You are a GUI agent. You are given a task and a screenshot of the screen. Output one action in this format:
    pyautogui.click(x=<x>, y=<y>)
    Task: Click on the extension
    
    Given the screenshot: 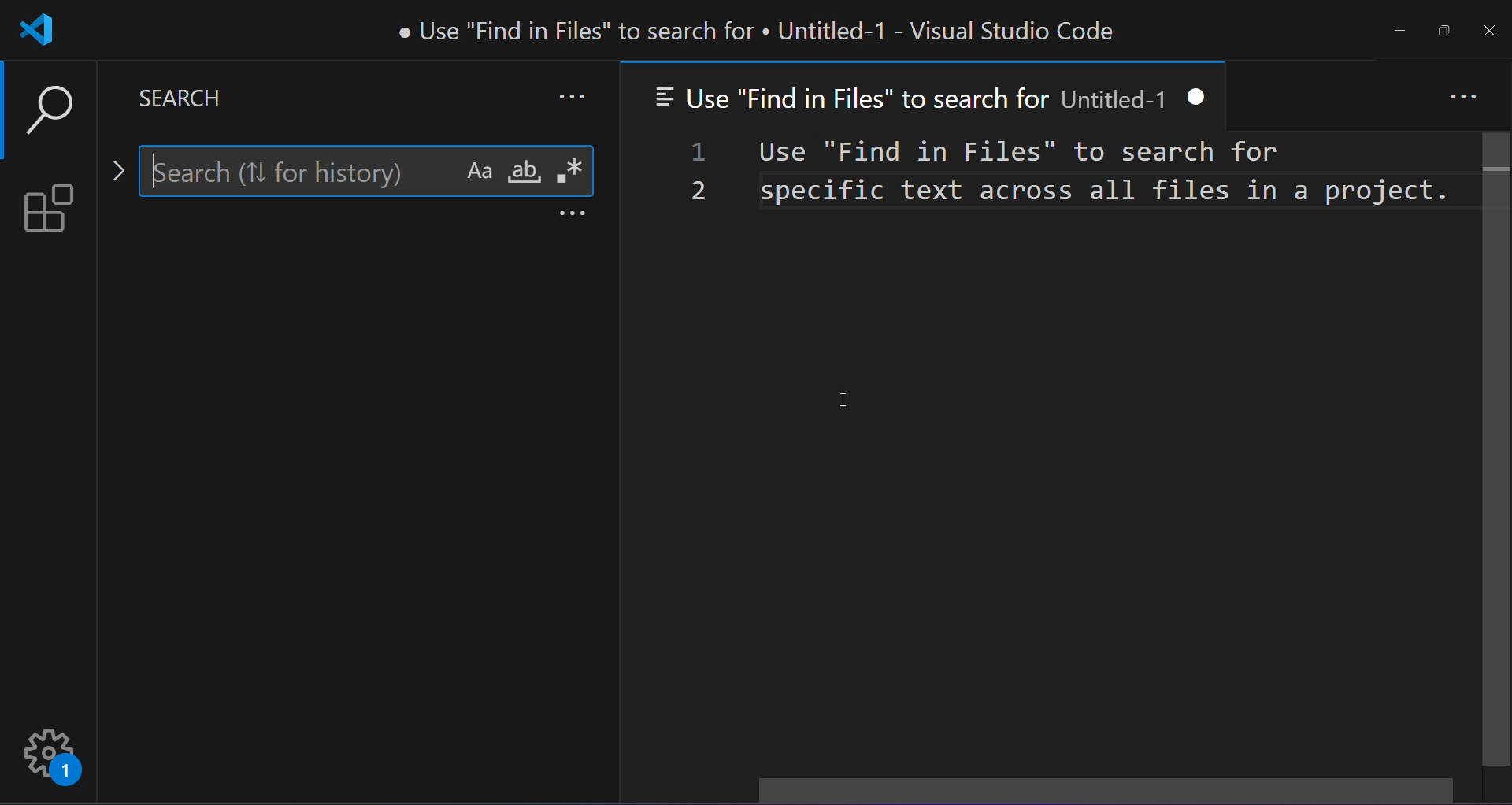 What is the action you would take?
    pyautogui.click(x=53, y=210)
    